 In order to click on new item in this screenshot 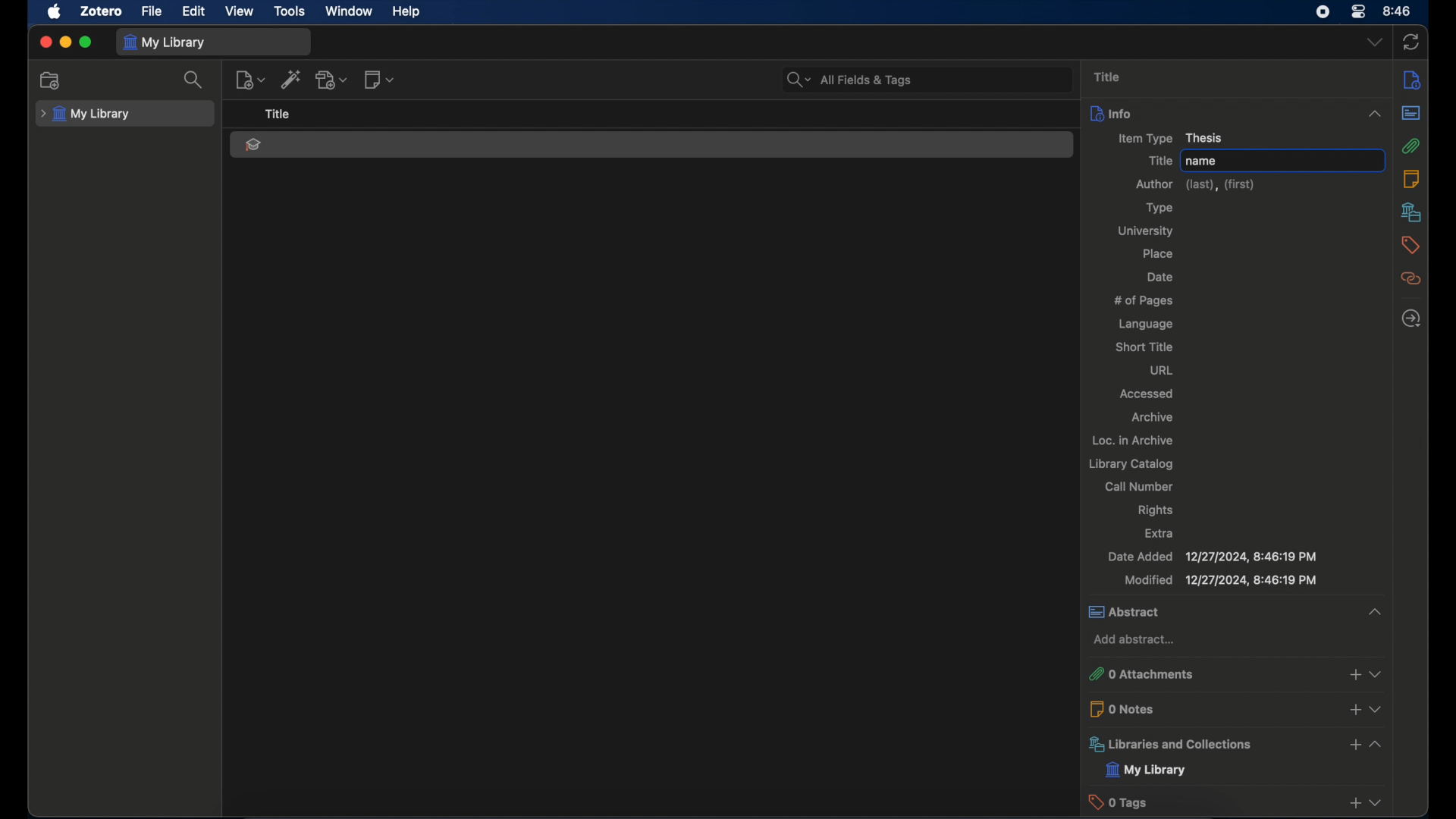, I will do `click(250, 80)`.